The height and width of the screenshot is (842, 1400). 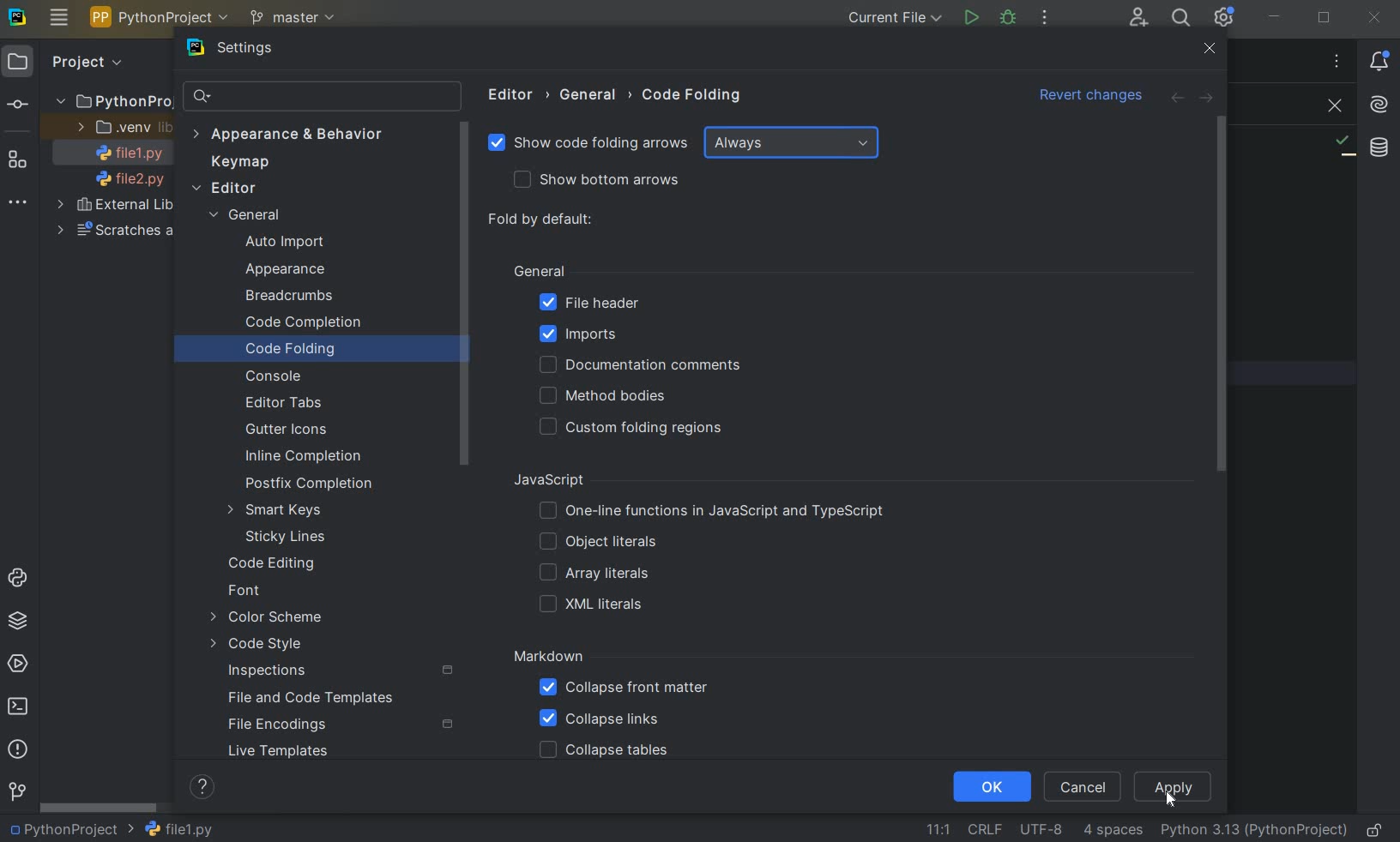 I want to click on SEARCH EVERYWHERE, so click(x=1180, y=18).